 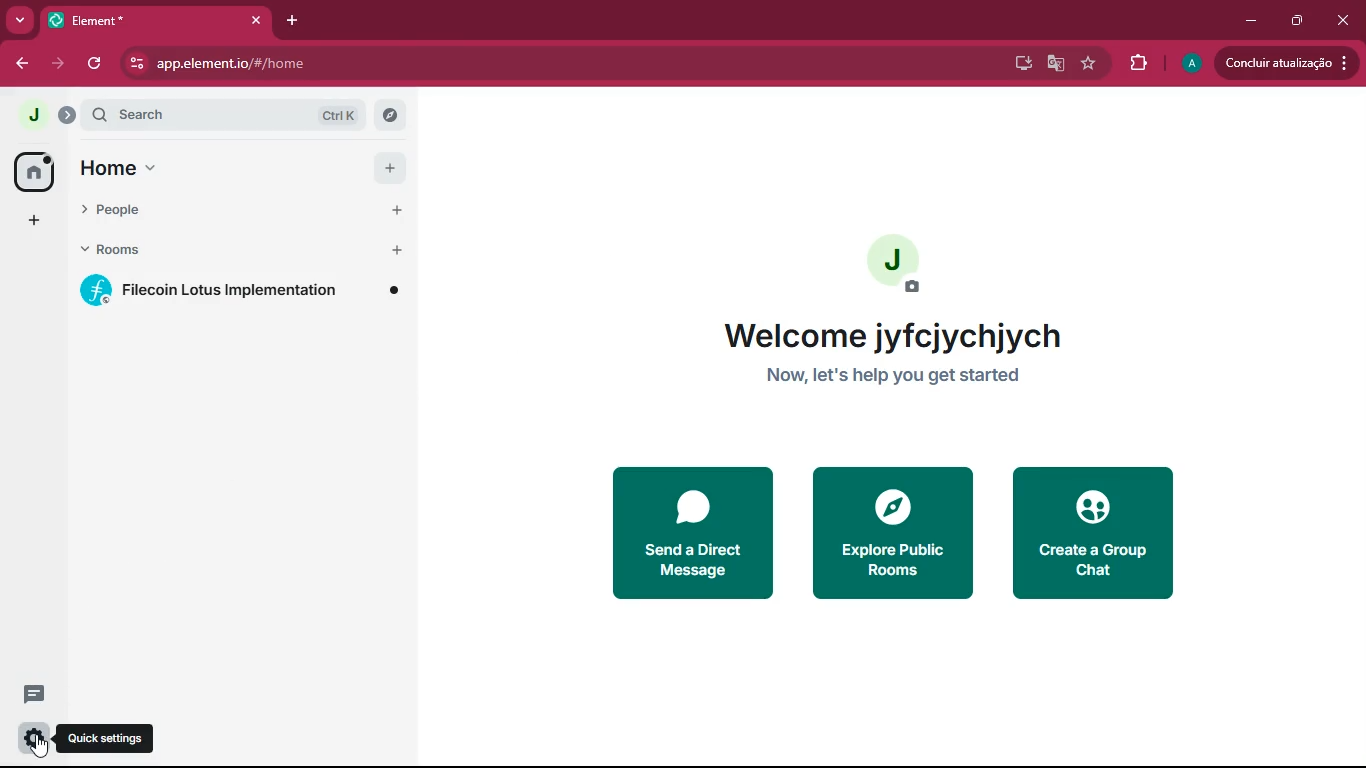 I want to click on profile, so click(x=1191, y=63).